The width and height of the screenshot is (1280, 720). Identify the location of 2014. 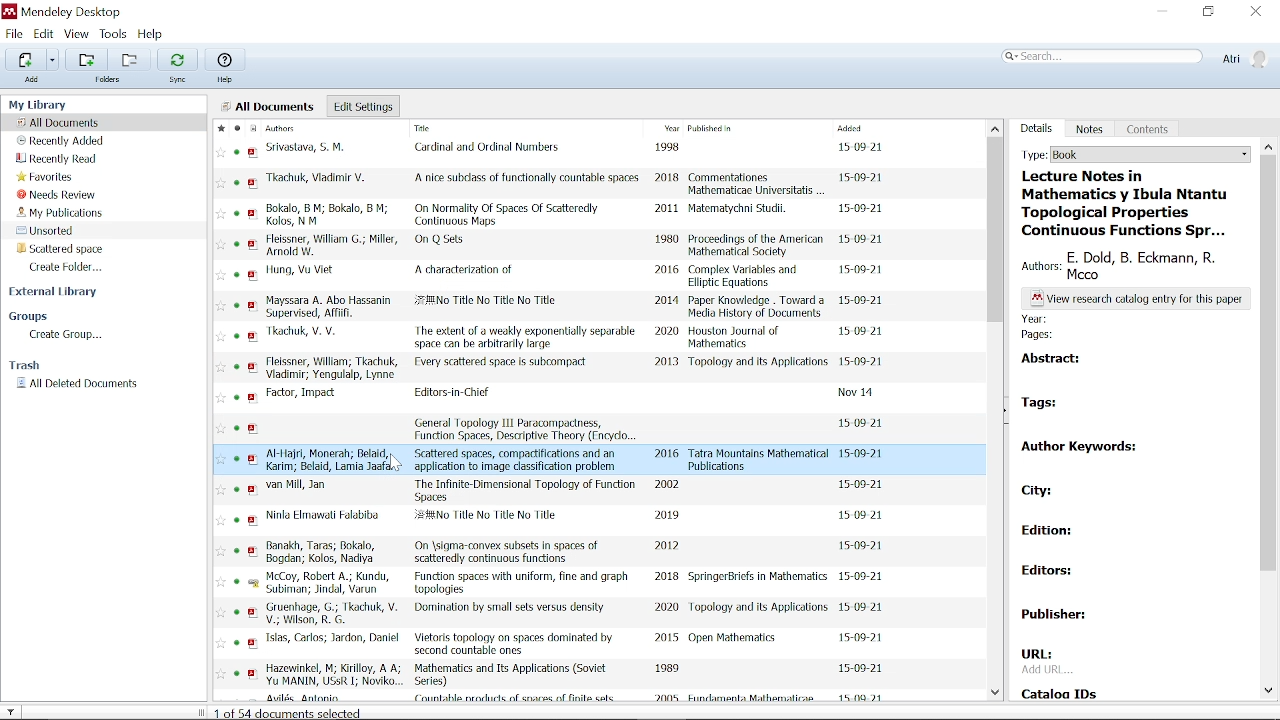
(667, 300).